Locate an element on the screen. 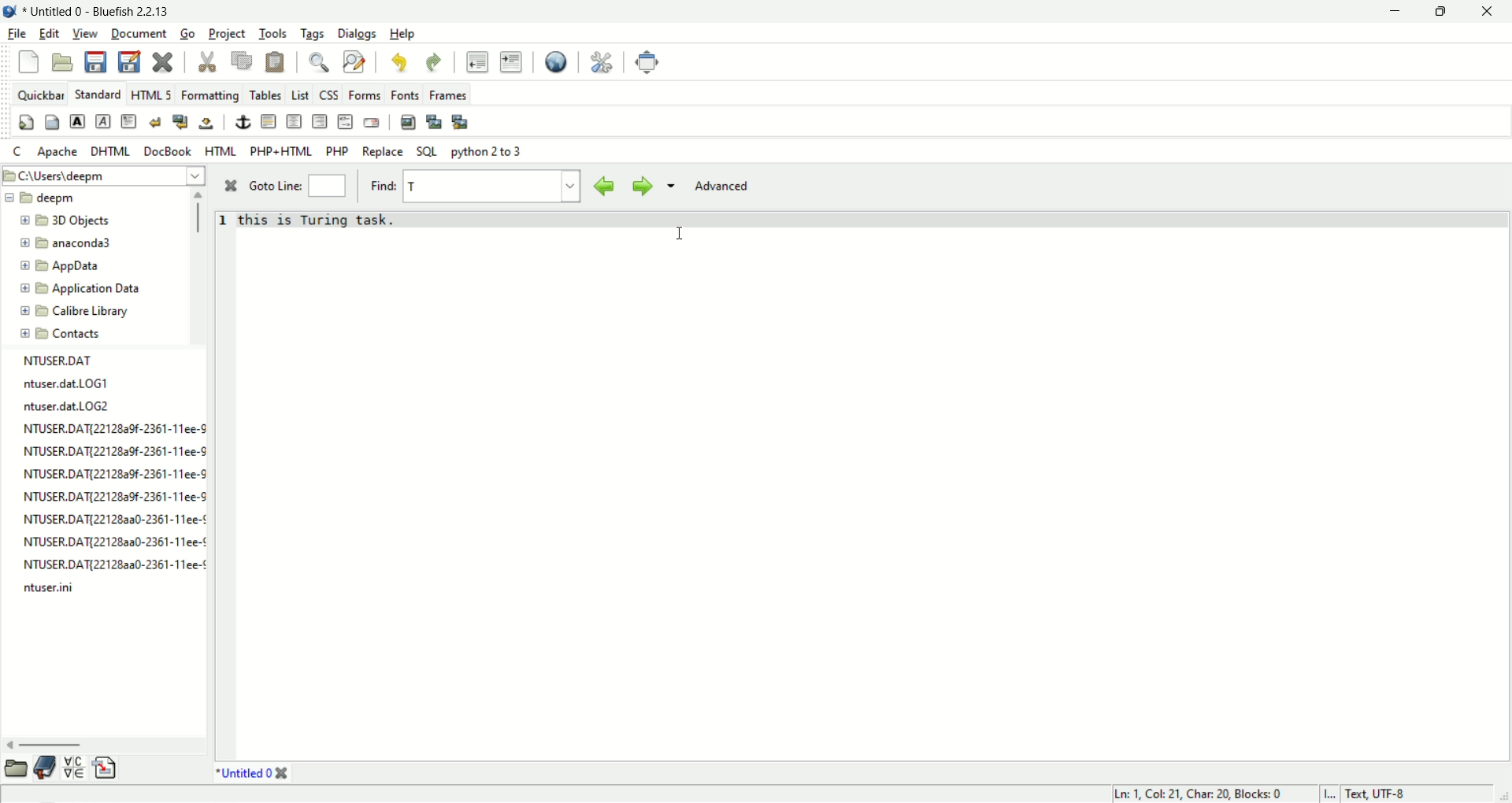 This screenshot has width=1512, height=803. SQL is located at coordinates (428, 151).